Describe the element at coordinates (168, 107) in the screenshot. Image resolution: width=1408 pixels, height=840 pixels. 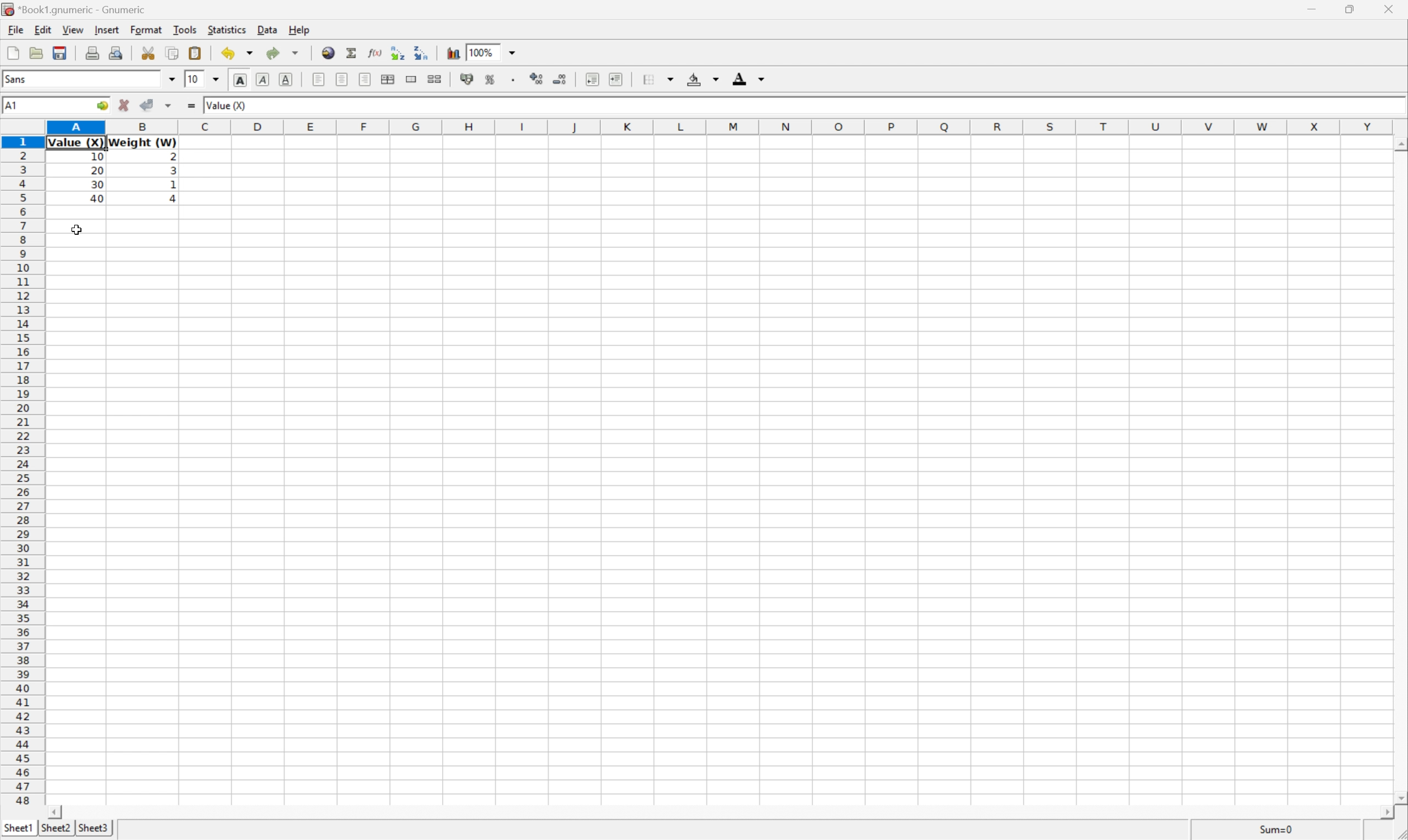
I see `Accept changes in multiple cells` at that location.